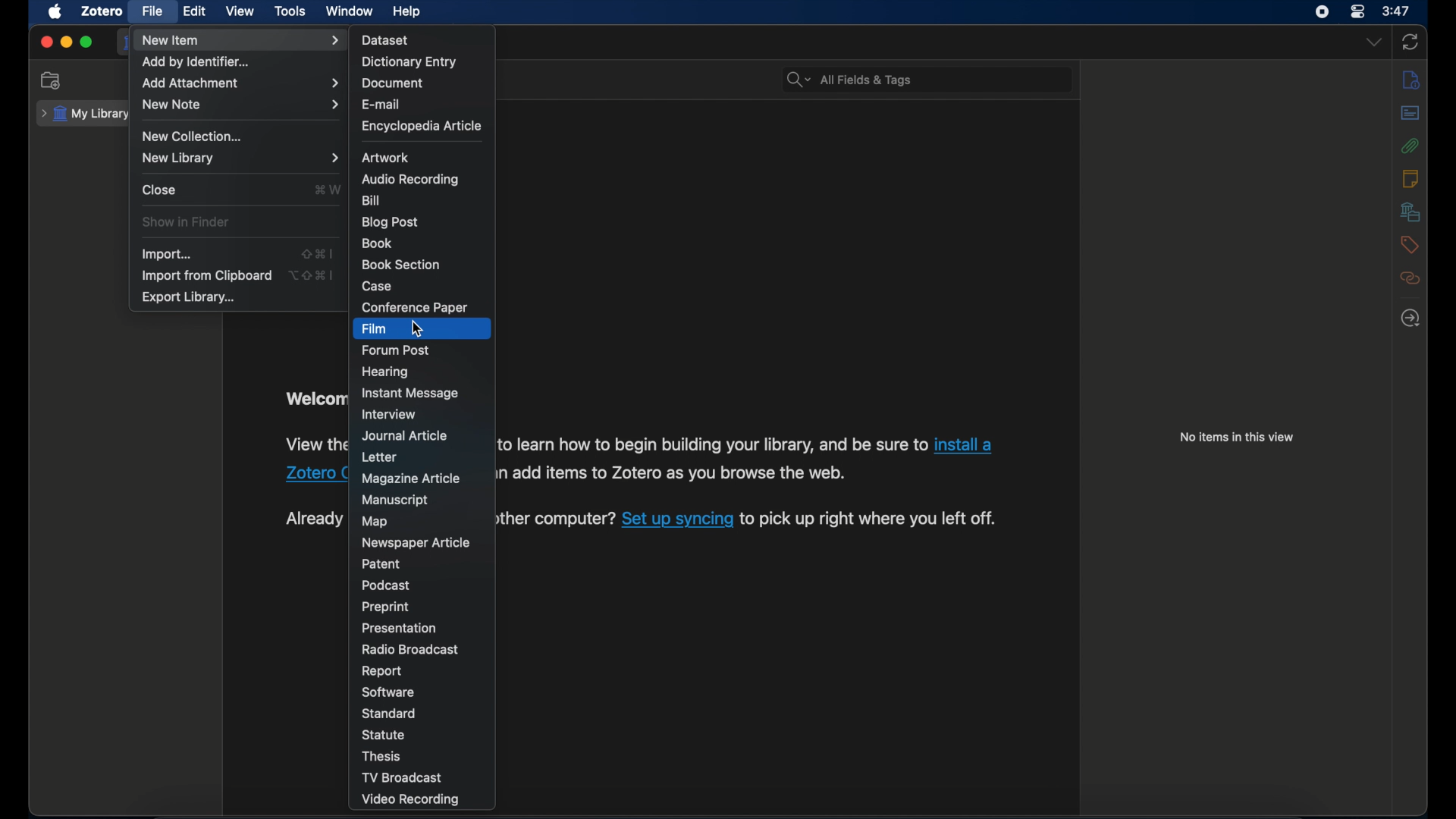 The image size is (1456, 819). I want to click on document, so click(391, 84).